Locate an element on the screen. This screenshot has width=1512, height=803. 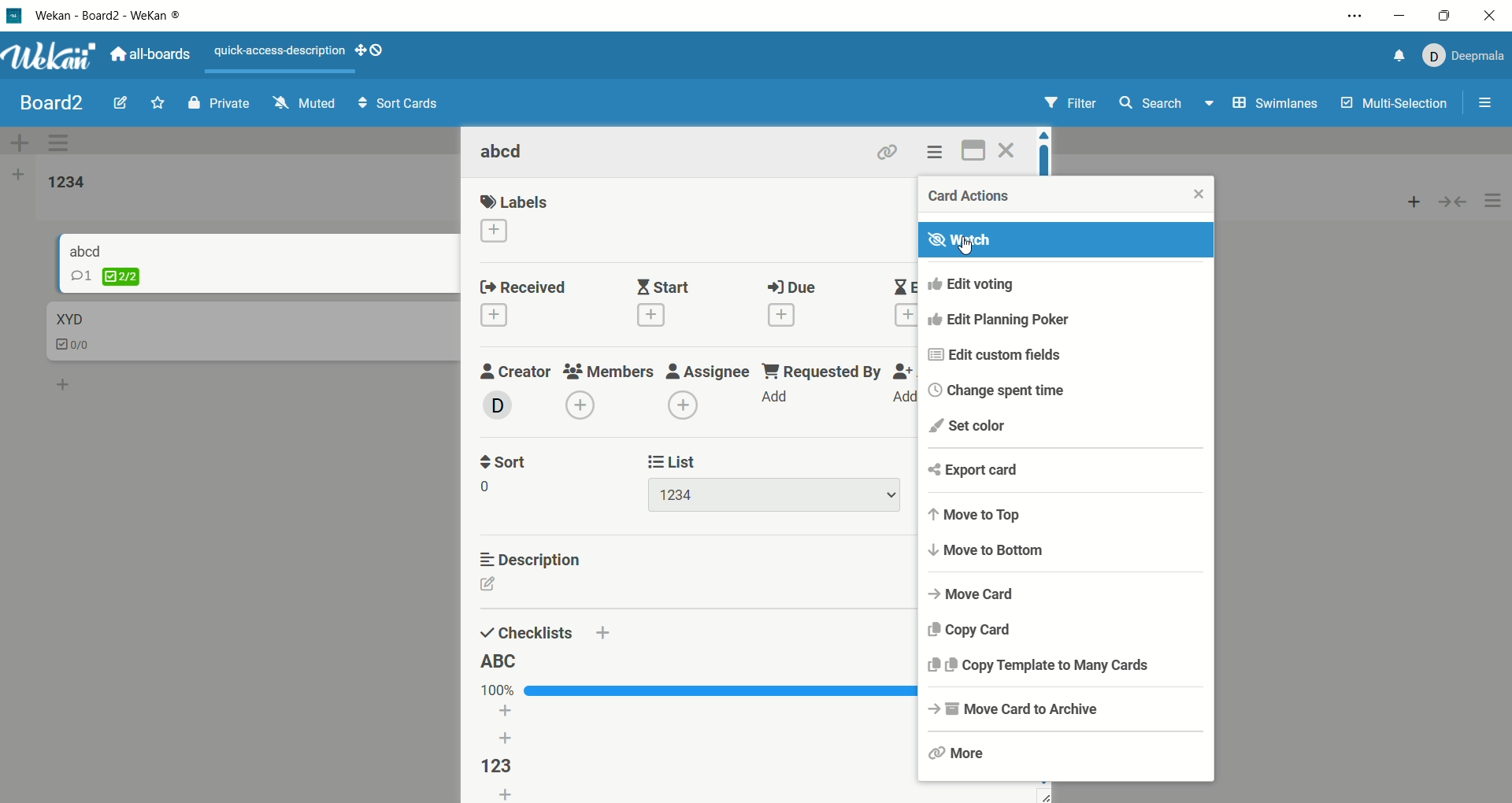
private is located at coordinates (212, 103).